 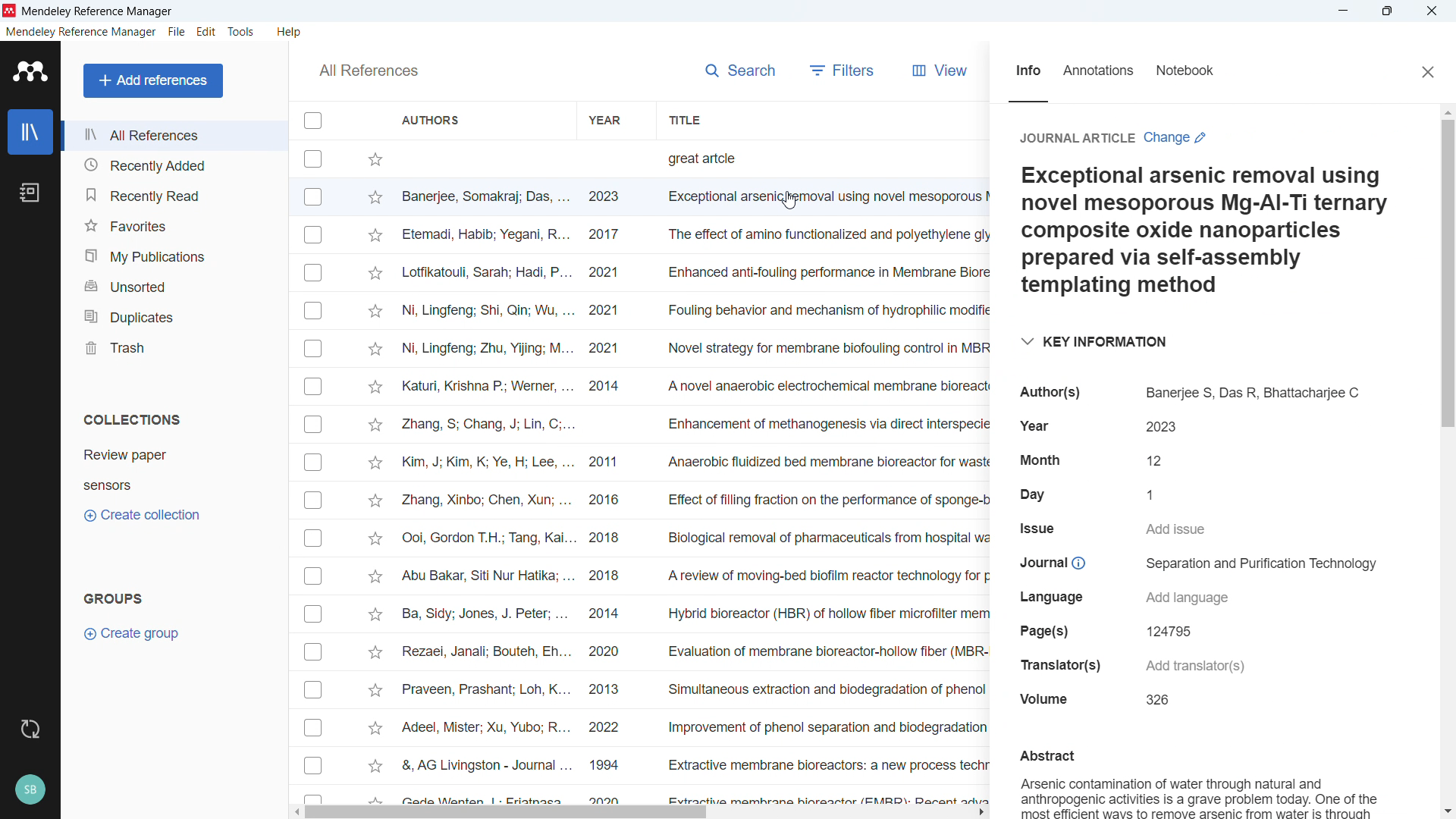 I want to click on Add language , so click(x=1186, y=598).